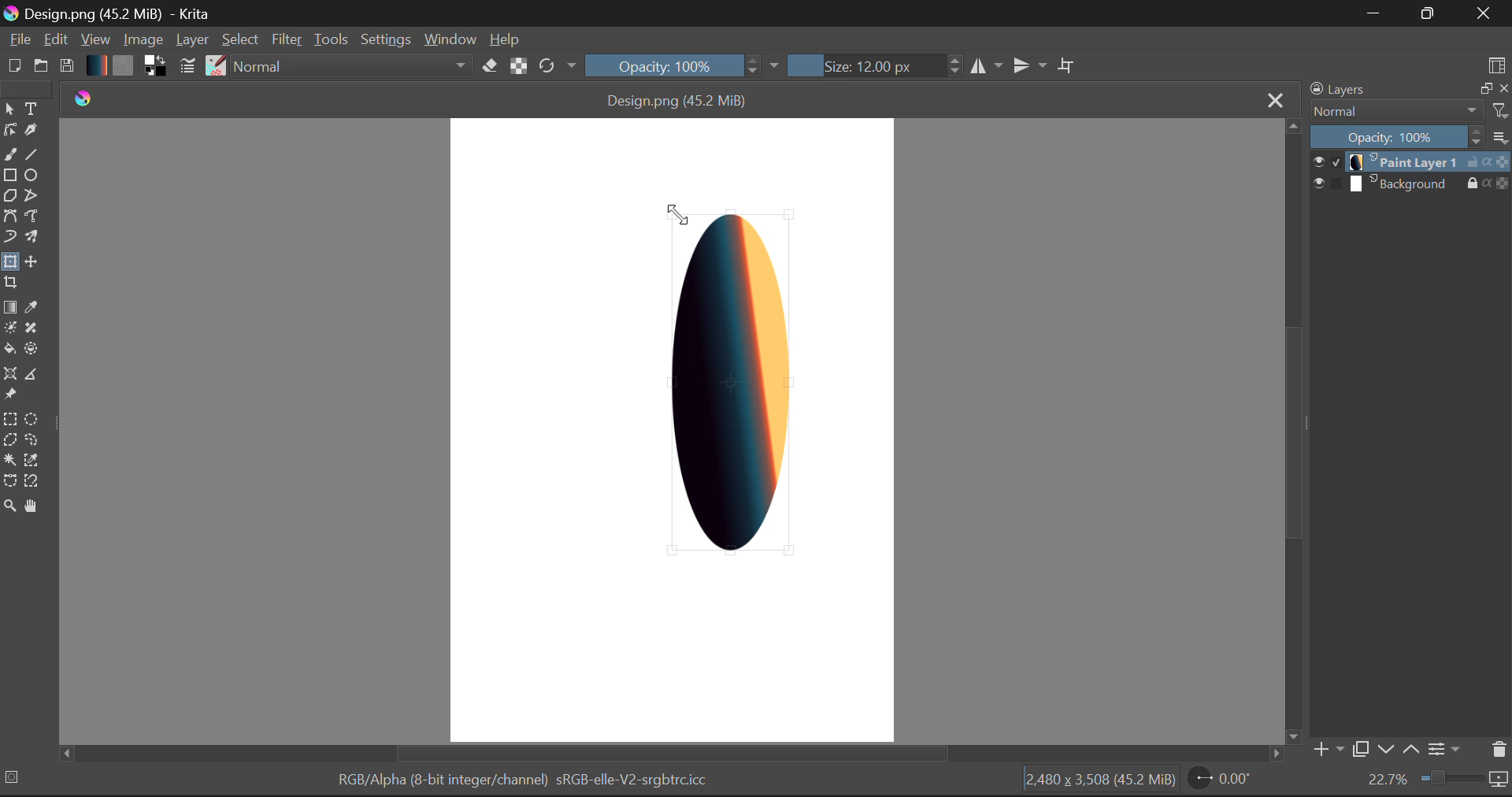 Image resolution: width=1512 pixels, height=797 pixels. Describe the element at coordinates (242, 40) in the screenshot. I see `Select` at that location.